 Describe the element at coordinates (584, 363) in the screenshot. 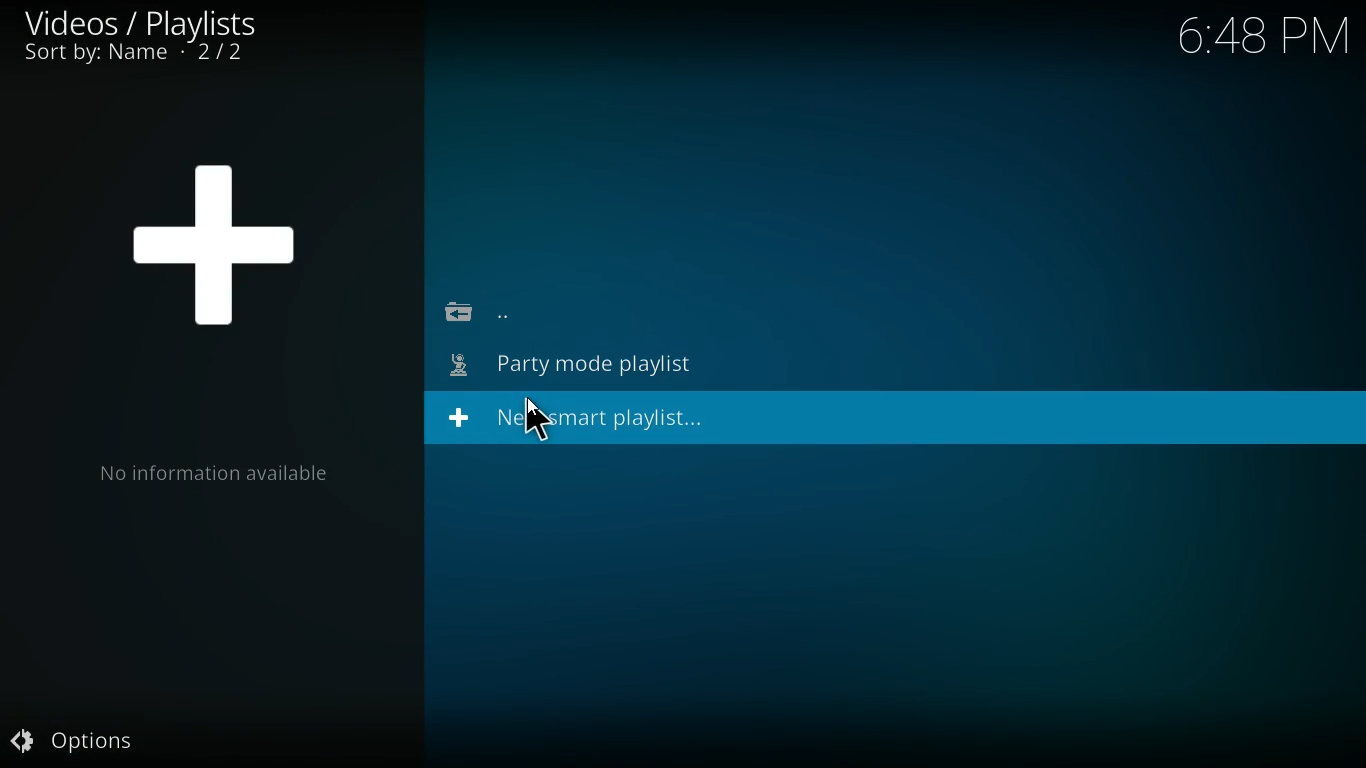

I see `party mode playlist` at that location.